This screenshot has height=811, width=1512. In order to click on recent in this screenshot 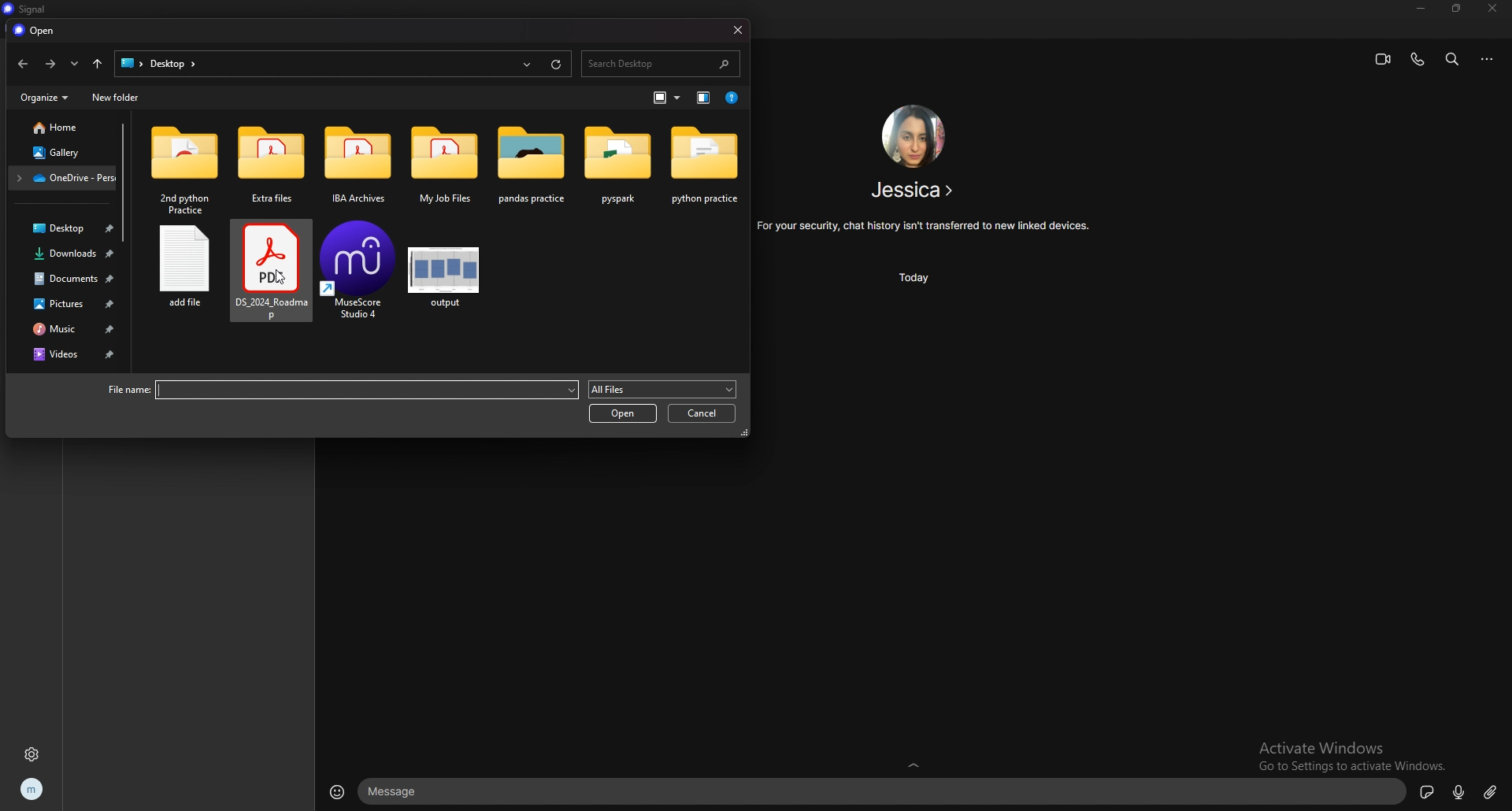, I will do `click(76, 64)`.